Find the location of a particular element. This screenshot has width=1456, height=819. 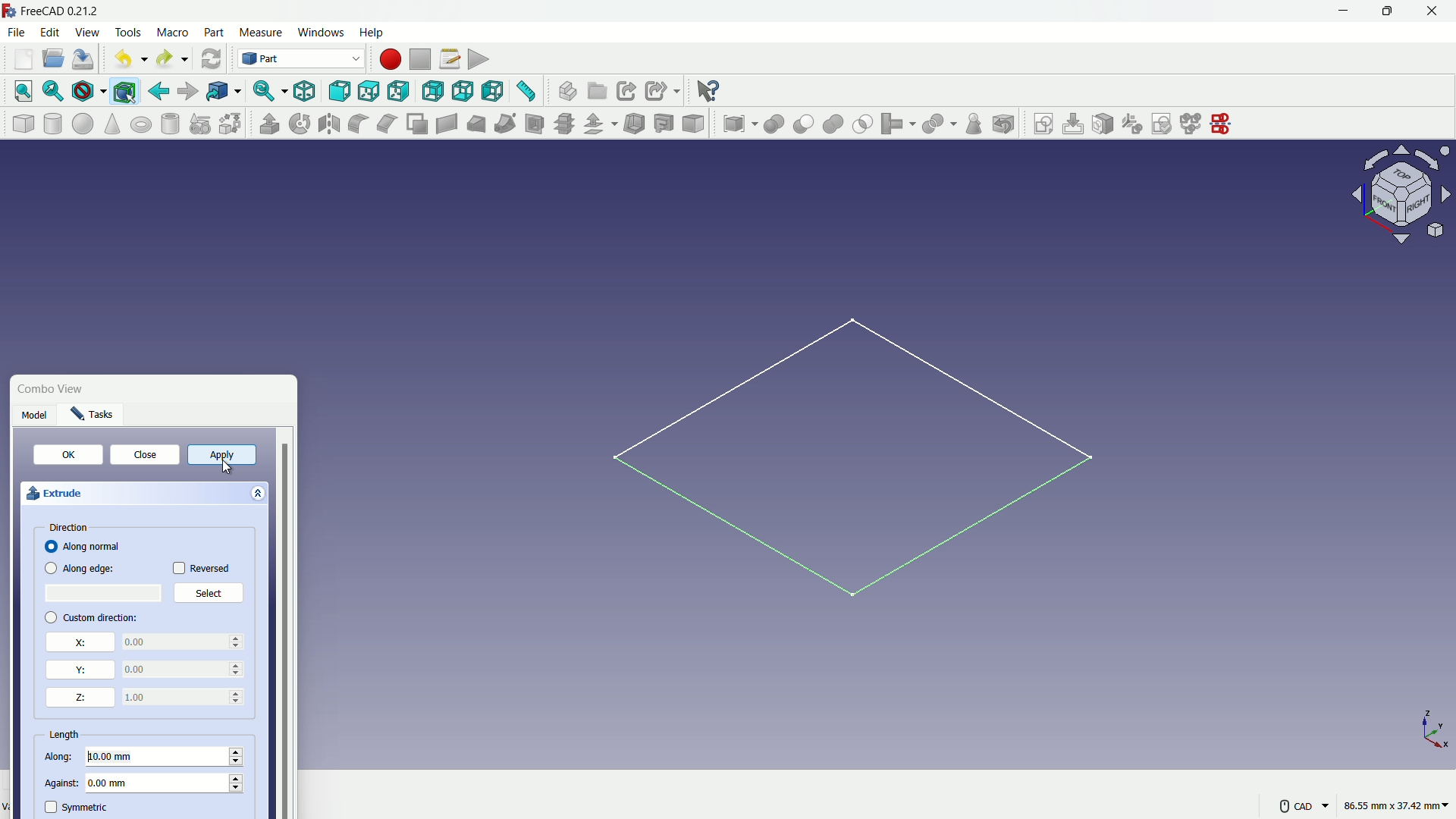

checkbox is located at coordinates (49, 617).